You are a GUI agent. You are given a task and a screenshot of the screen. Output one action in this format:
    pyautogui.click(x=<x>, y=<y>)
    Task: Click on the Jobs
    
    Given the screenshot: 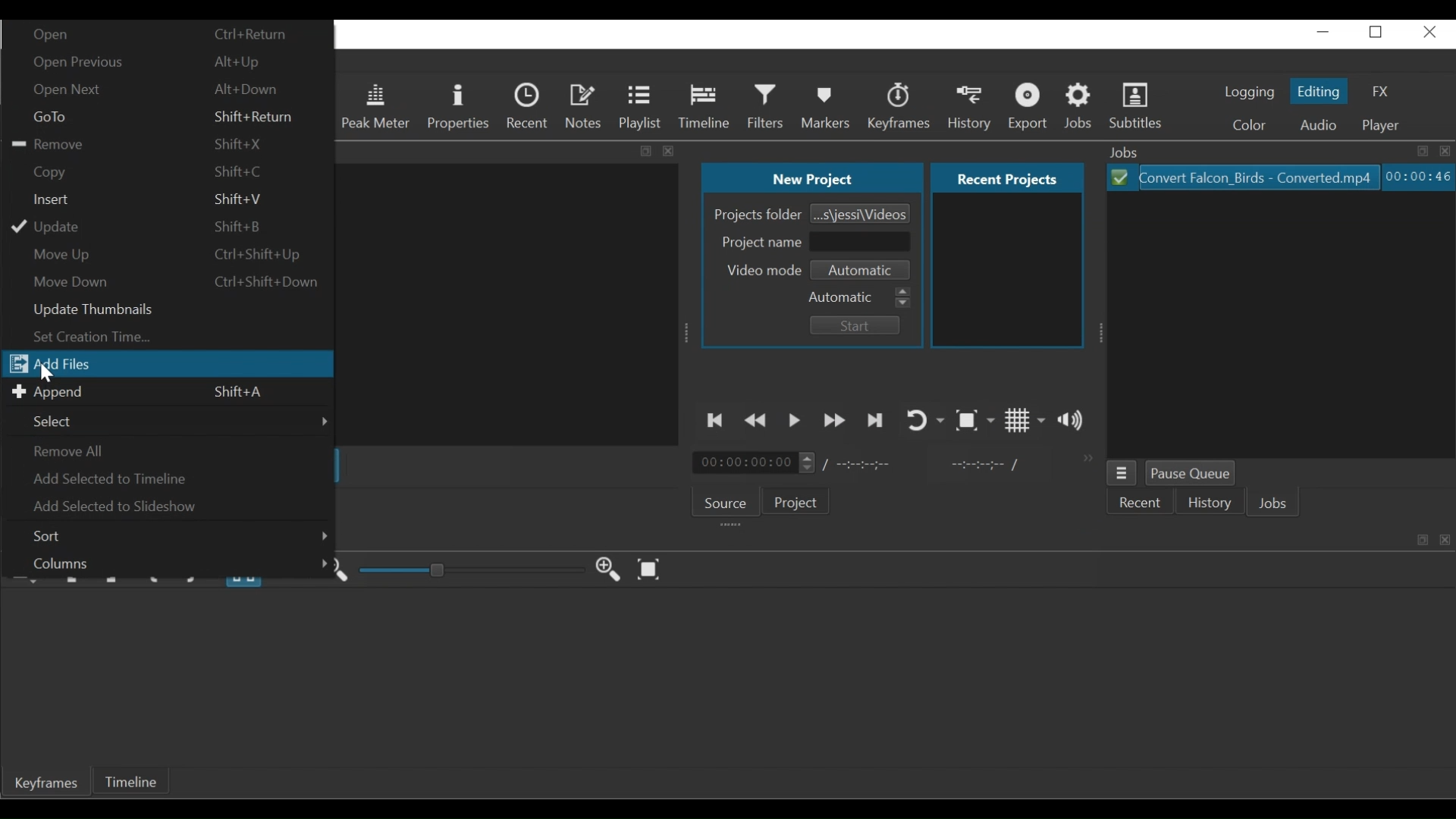 What is the action you would take?
    pyautogui.click(x=1079, y=108)
    